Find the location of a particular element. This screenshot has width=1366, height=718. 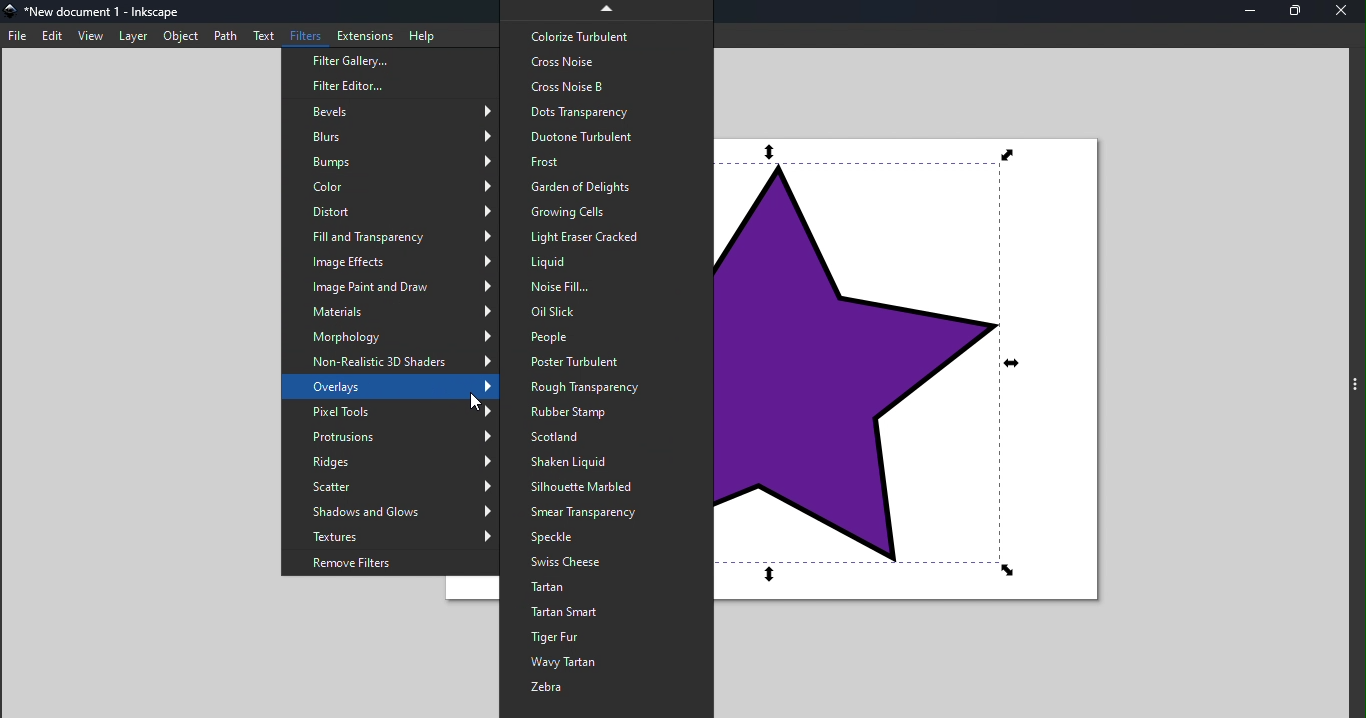

Tartan is located at coordinates (602, 587).